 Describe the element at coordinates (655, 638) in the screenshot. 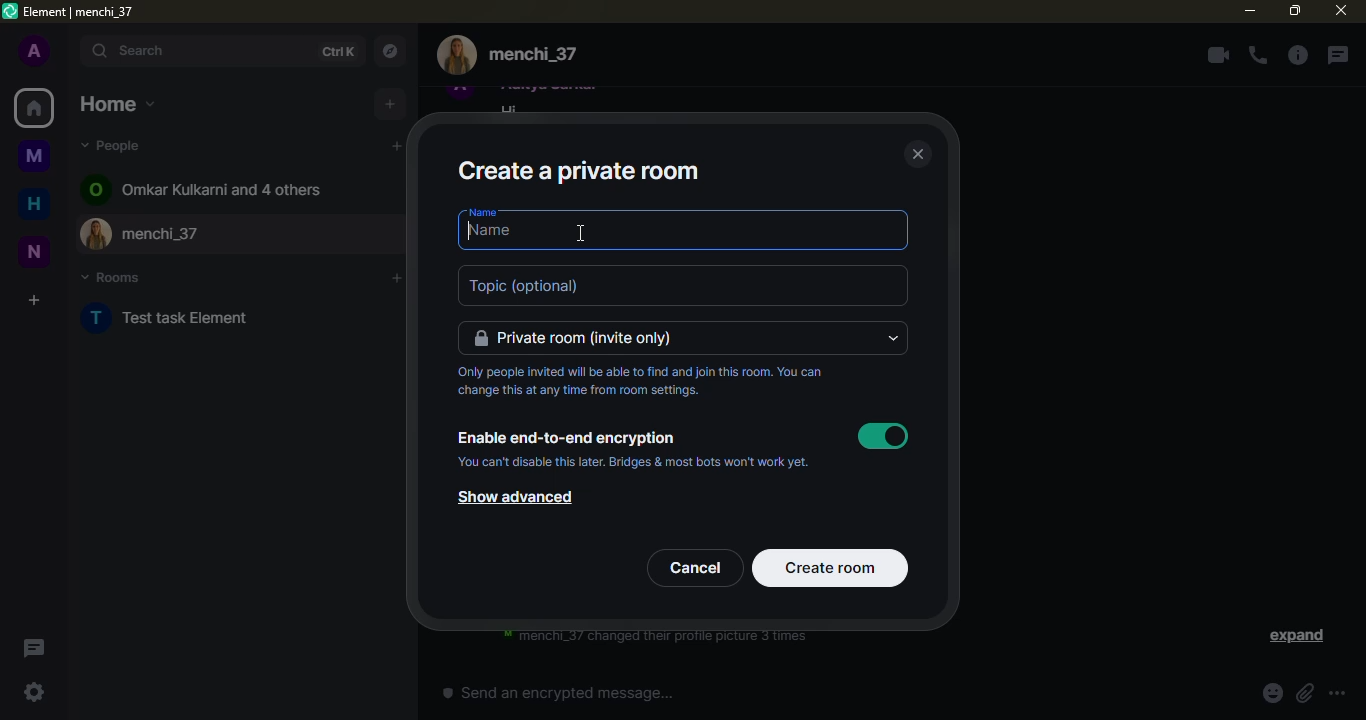

I see `menchi_37 changed their profile picture 3 times` at that location.